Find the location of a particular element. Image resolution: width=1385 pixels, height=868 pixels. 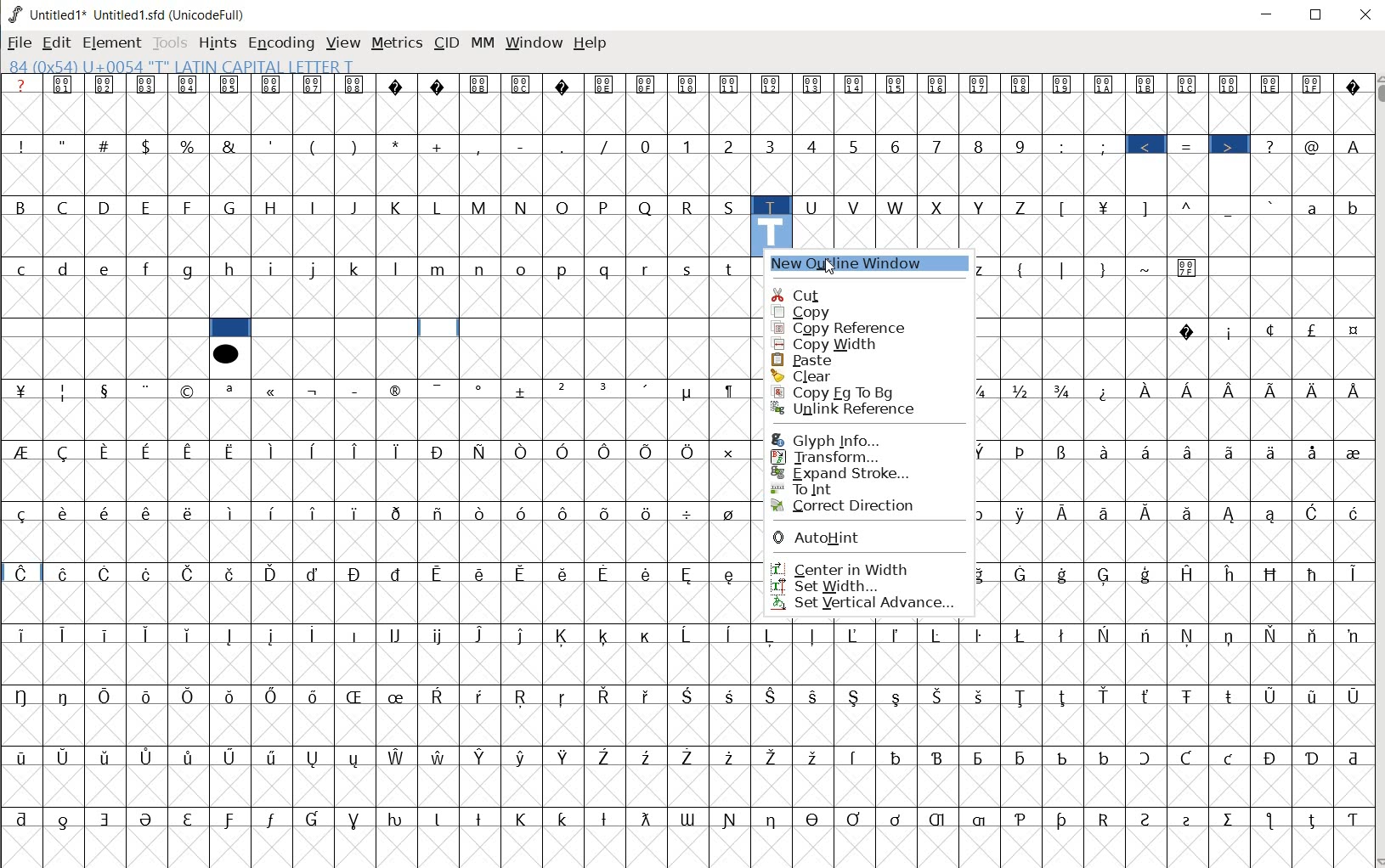

Symbol is located at coordinates (64, 391).